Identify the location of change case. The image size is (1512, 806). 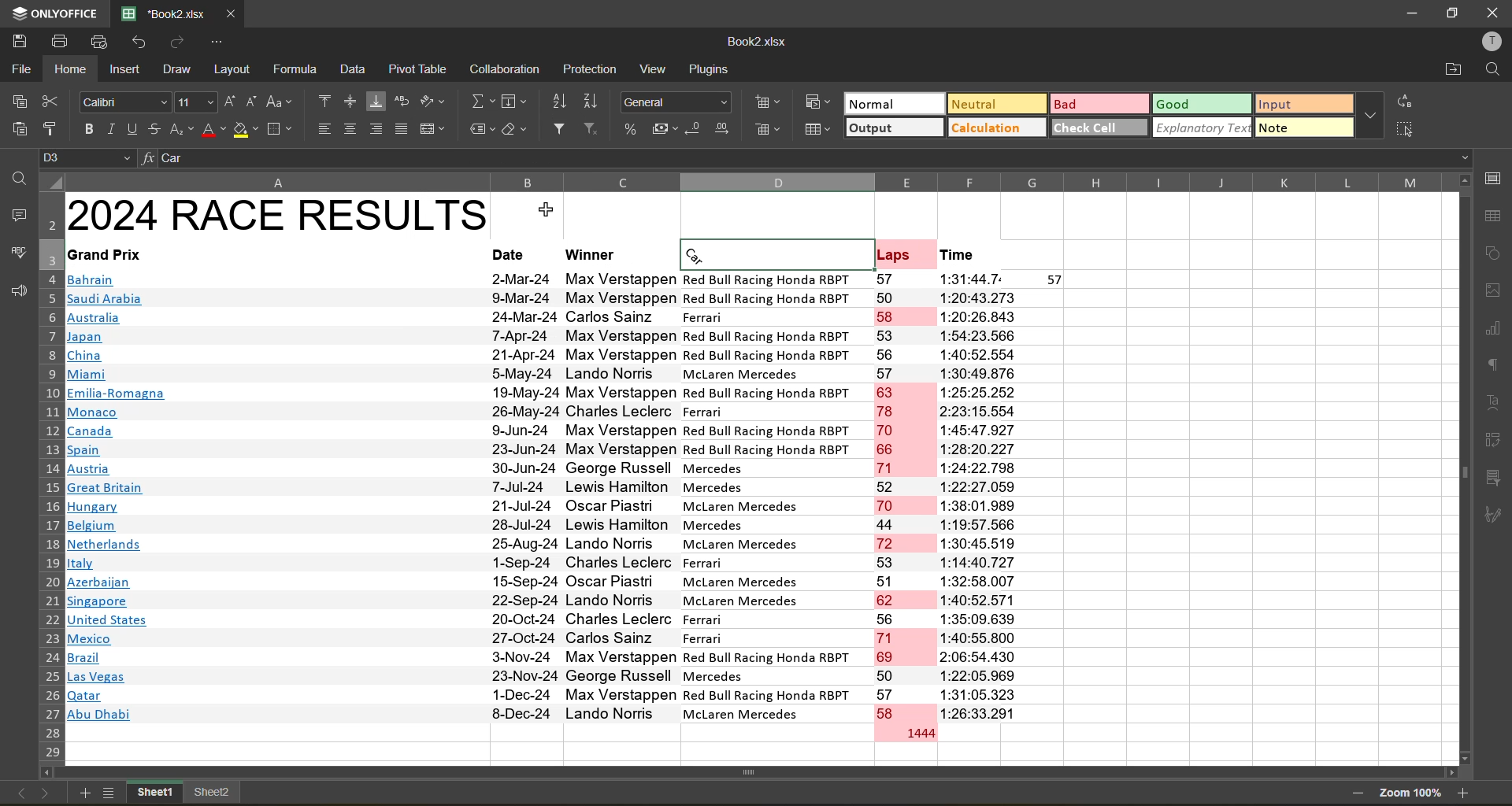
(280, 102).